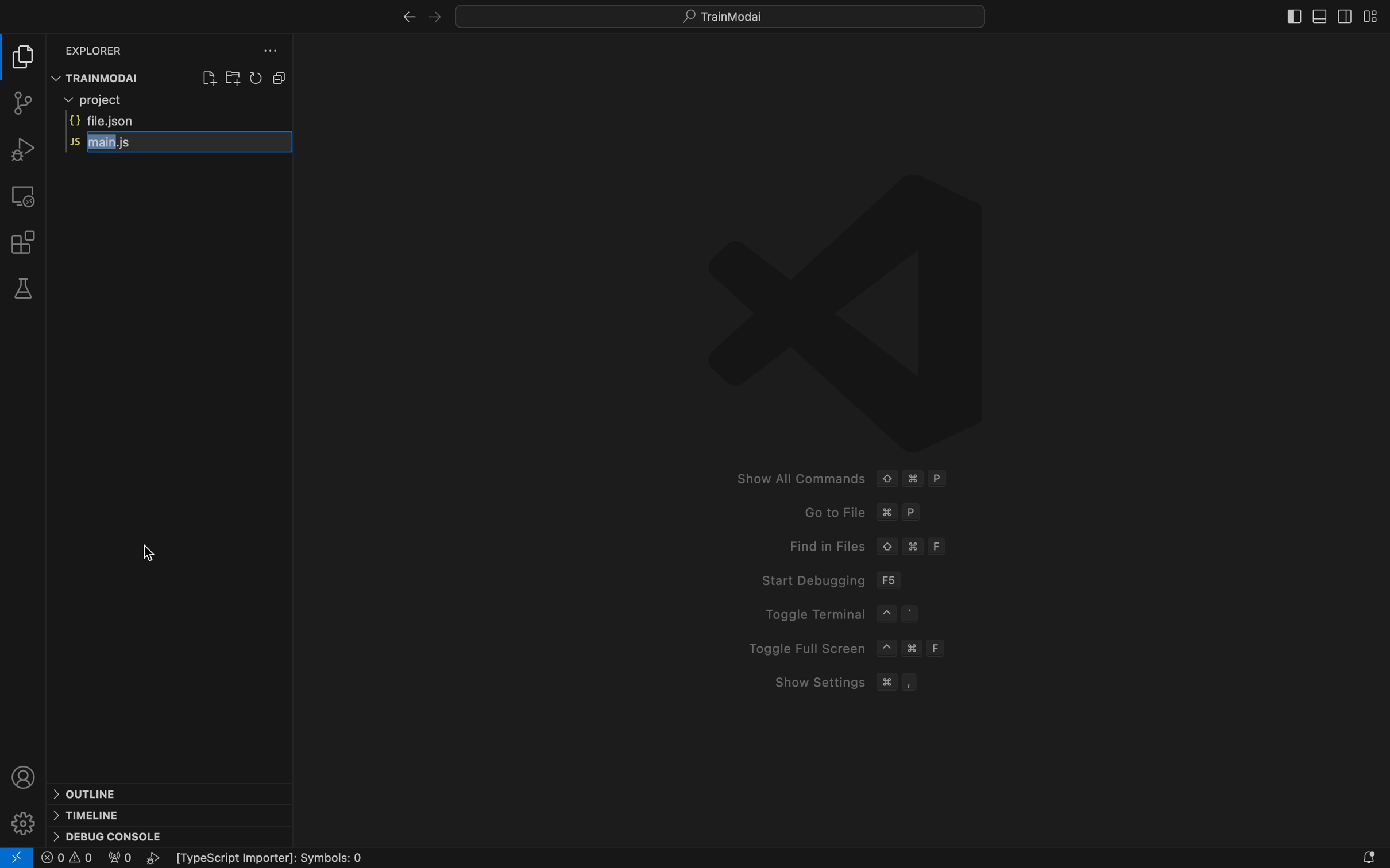 The image size is (1390, 868). What do you see at coordinates (872, 545) in the screenshot?
I see `Find in files` at bounding box center [872, 545].